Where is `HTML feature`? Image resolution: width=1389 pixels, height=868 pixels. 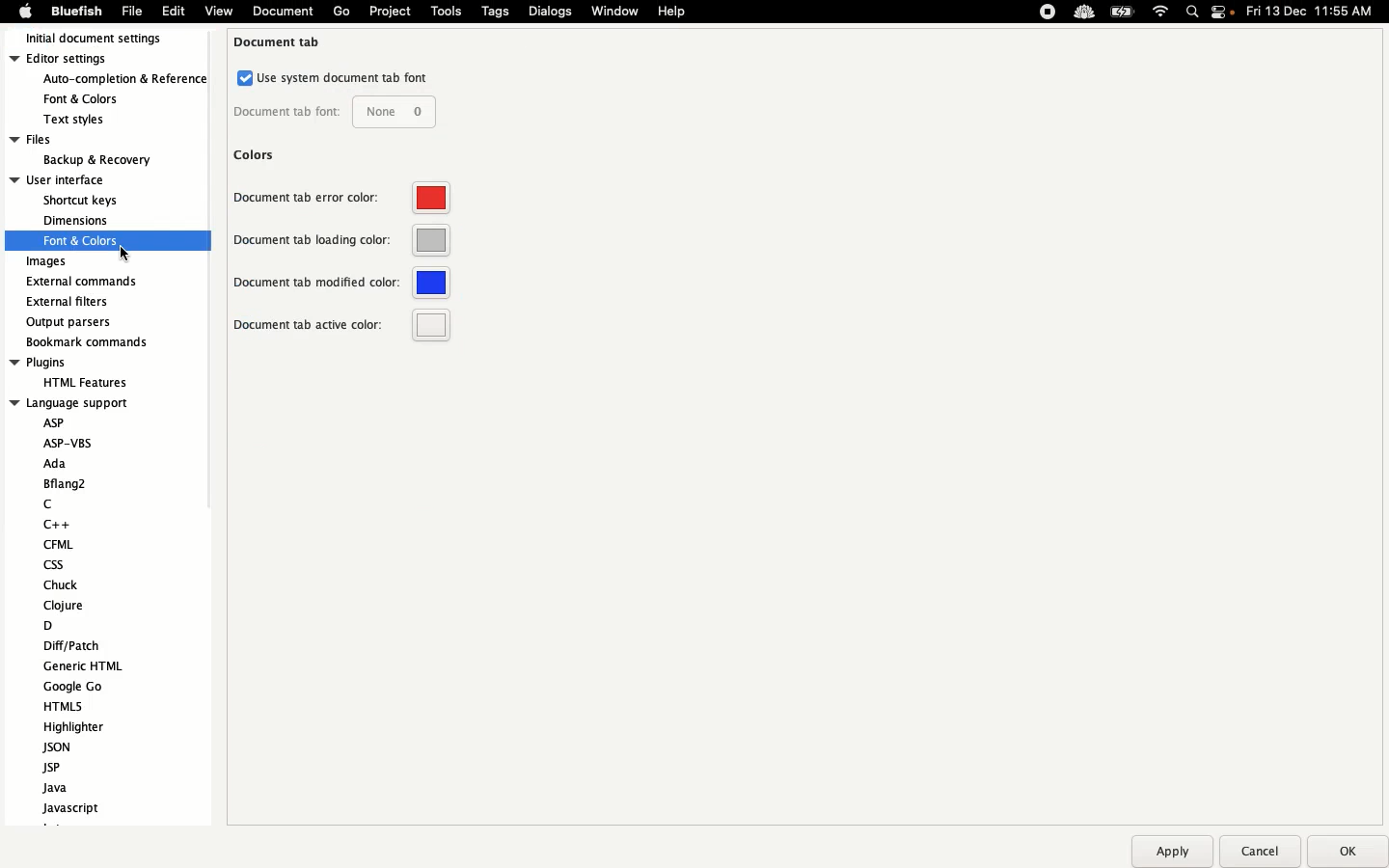
HTML feature is located at coordinates (81, 381).